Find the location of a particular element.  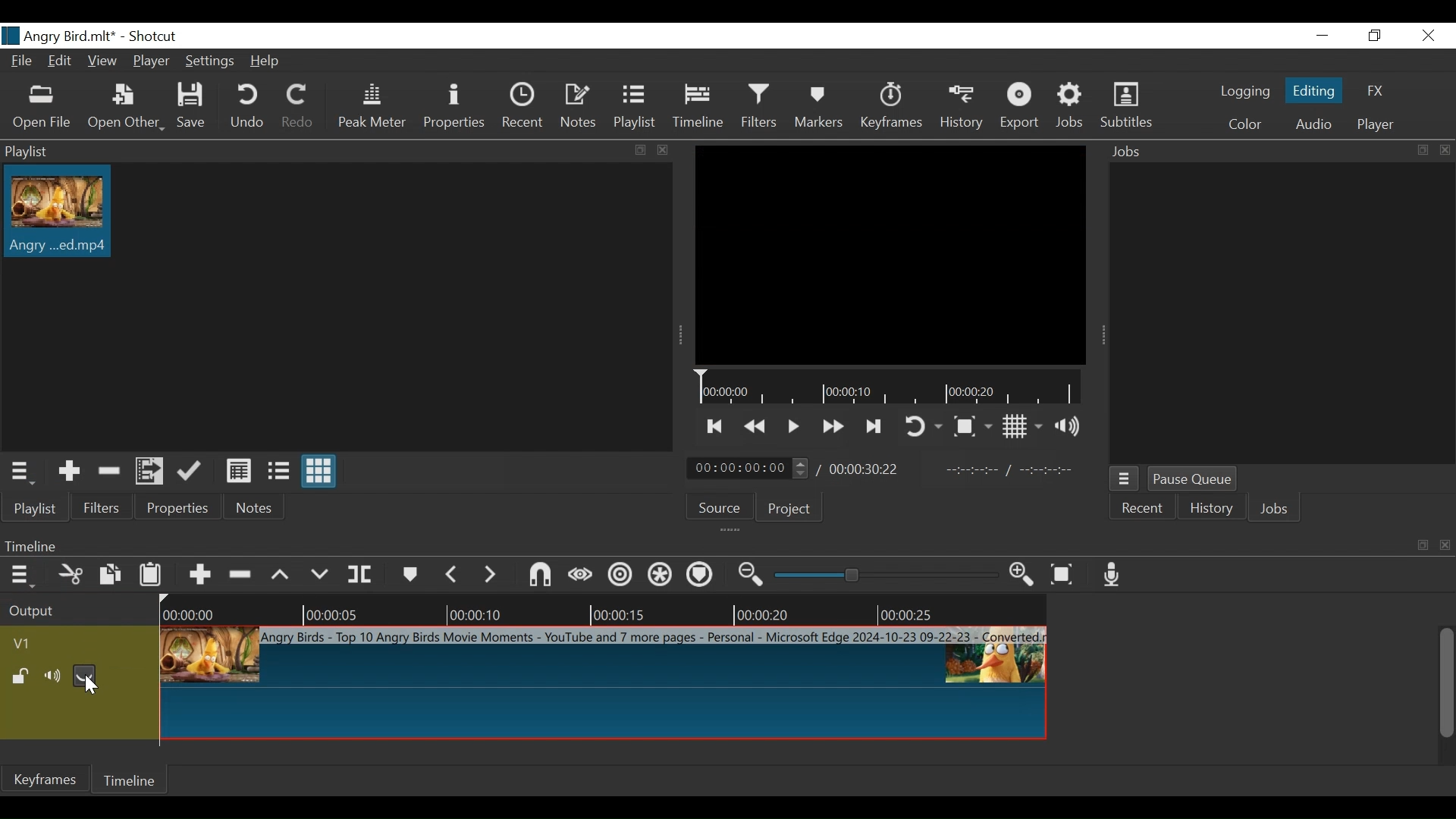

History is located at coordinates (1209, 509).